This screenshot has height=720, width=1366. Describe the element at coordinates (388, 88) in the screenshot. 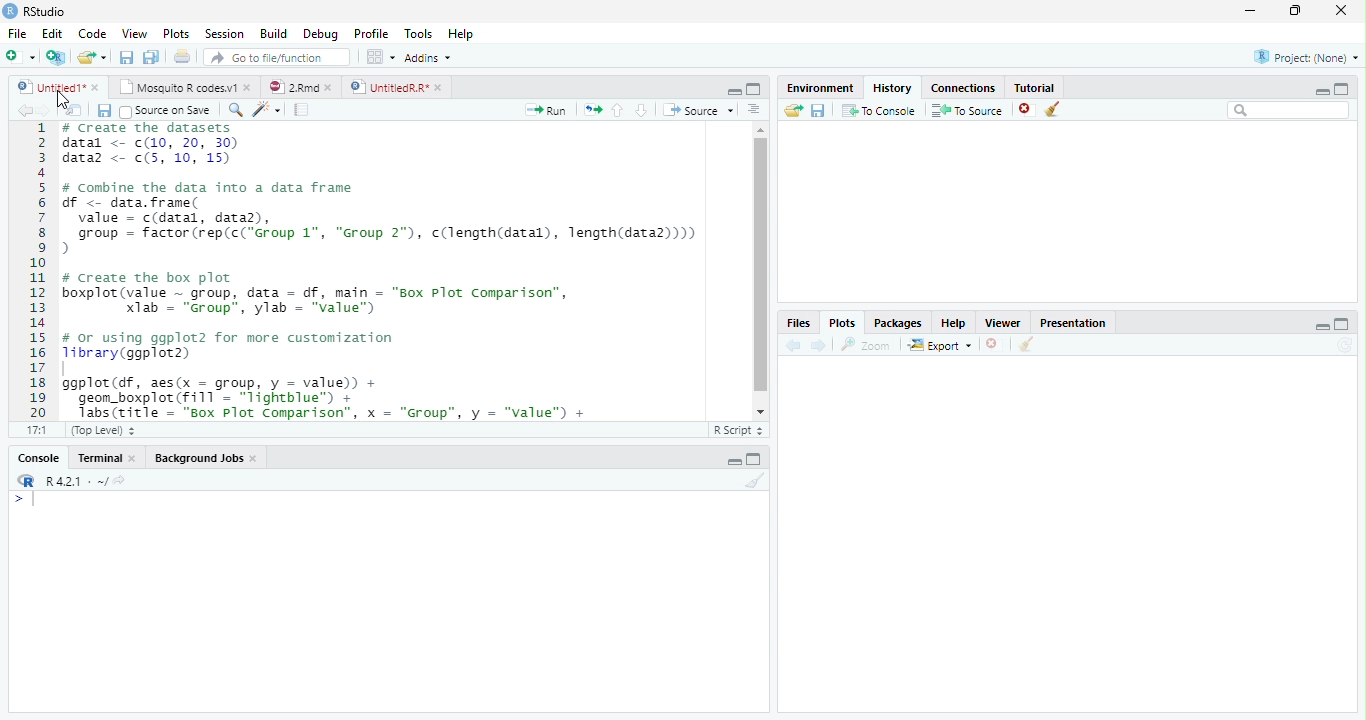

I see `UntitledR.R*` at that location.